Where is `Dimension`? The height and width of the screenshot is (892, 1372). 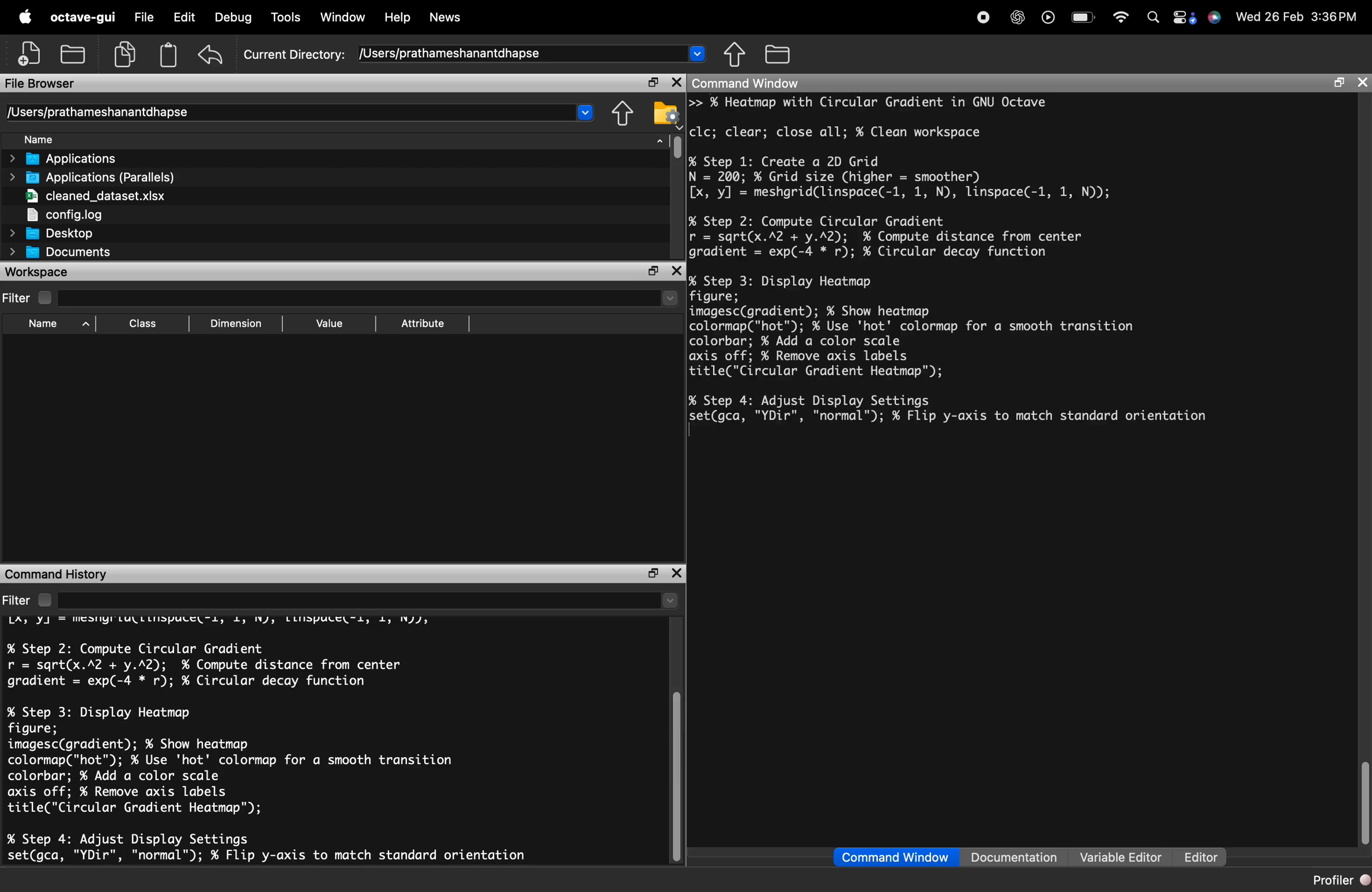 Dimension is located at coordinates (233, 324).